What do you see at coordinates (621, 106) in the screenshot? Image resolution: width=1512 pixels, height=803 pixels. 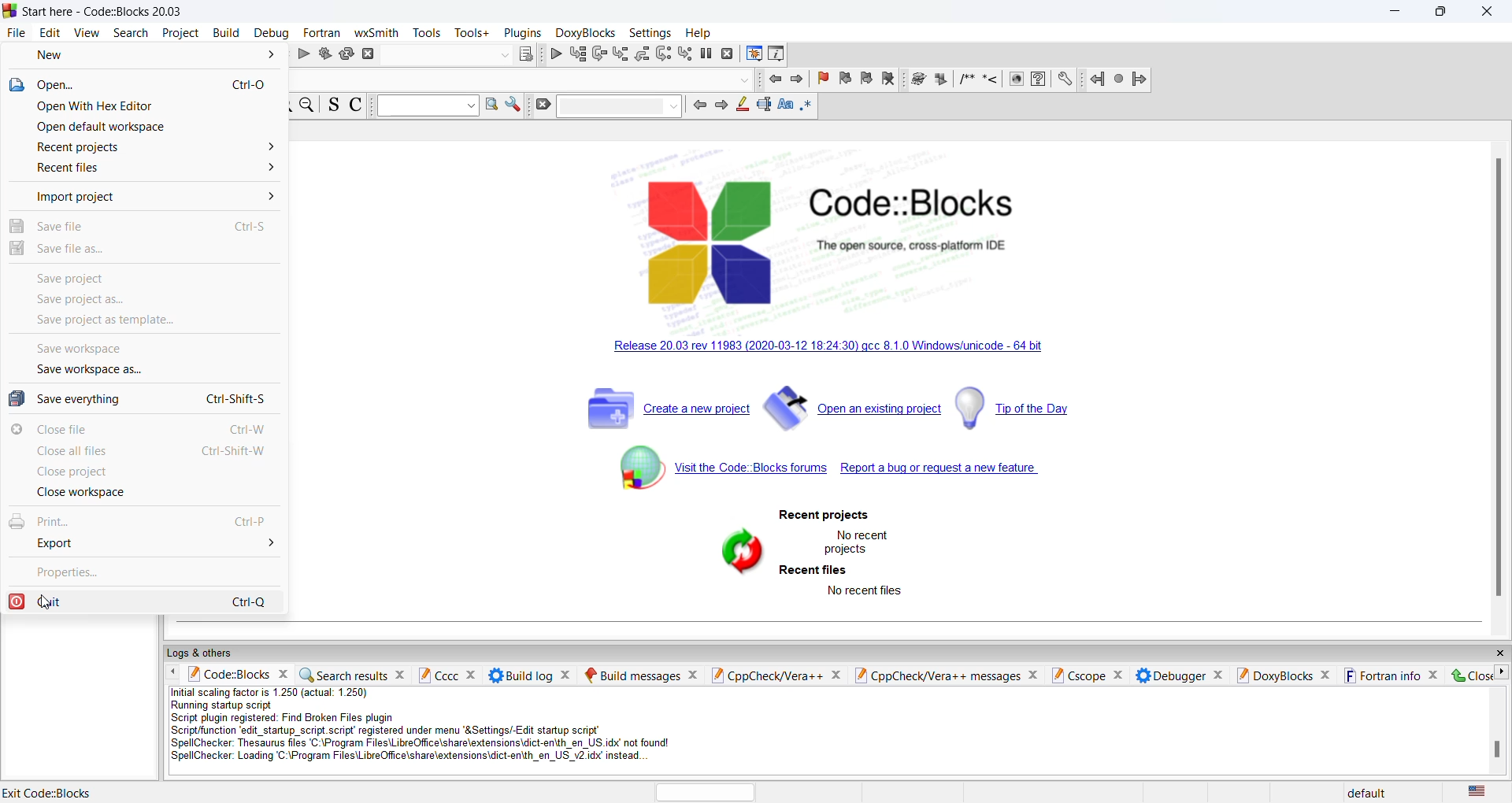 I see `dropdown` at bounding box center [621, 106].